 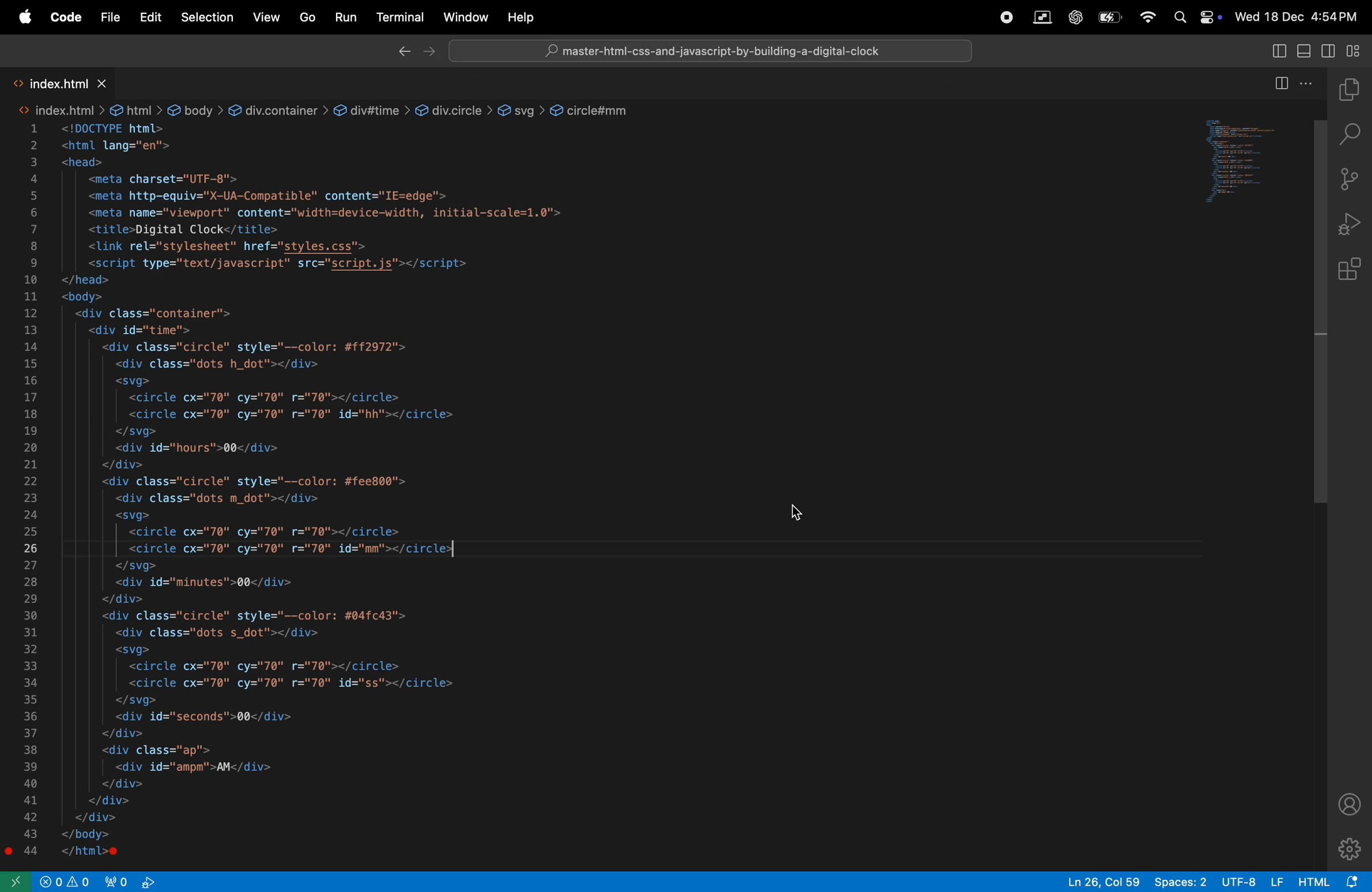 What do you see at coordinates (462, 17) in the screenshot?
I see `Window` at bounding box center [462, 17].